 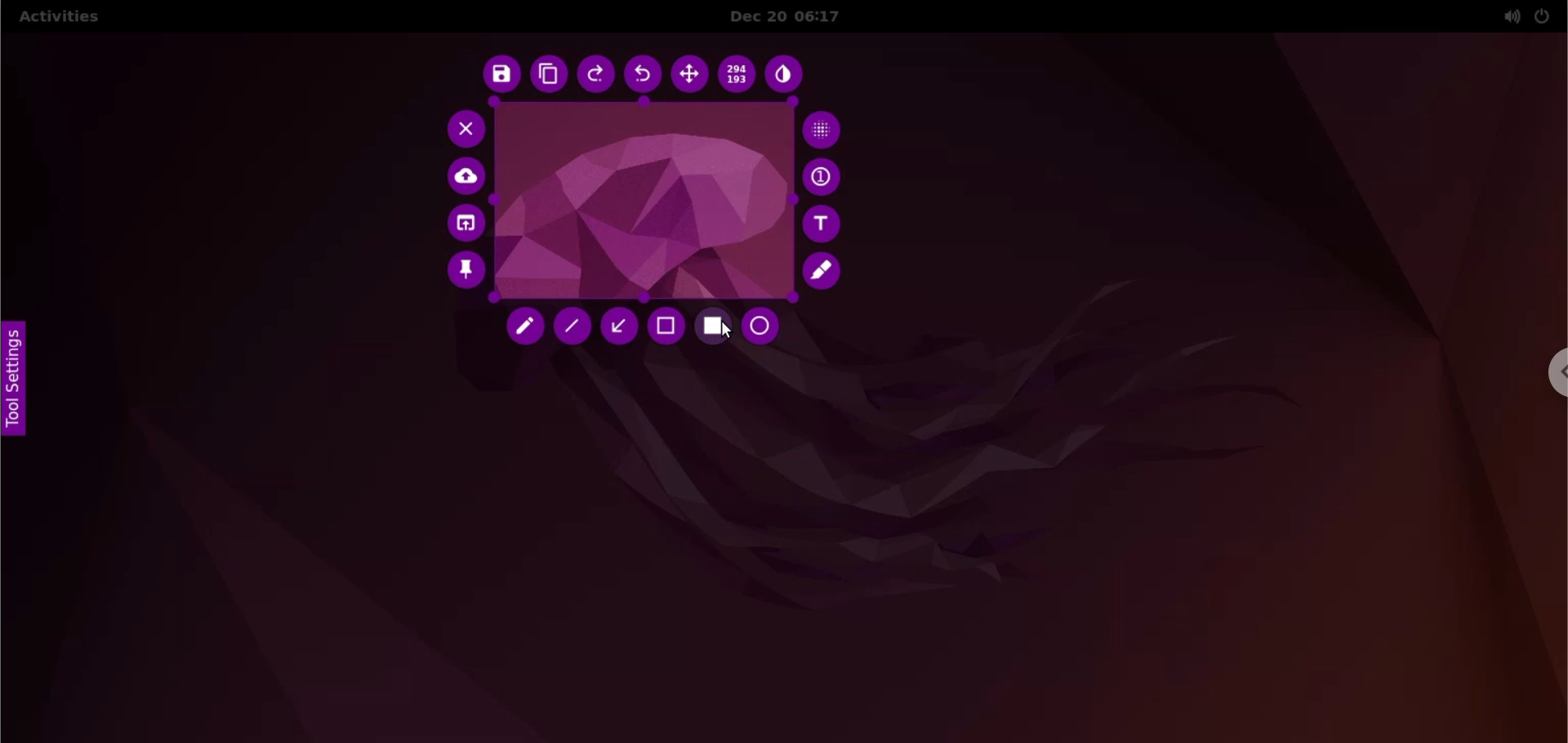 I want to click on undo , so click(x=644, y=75).